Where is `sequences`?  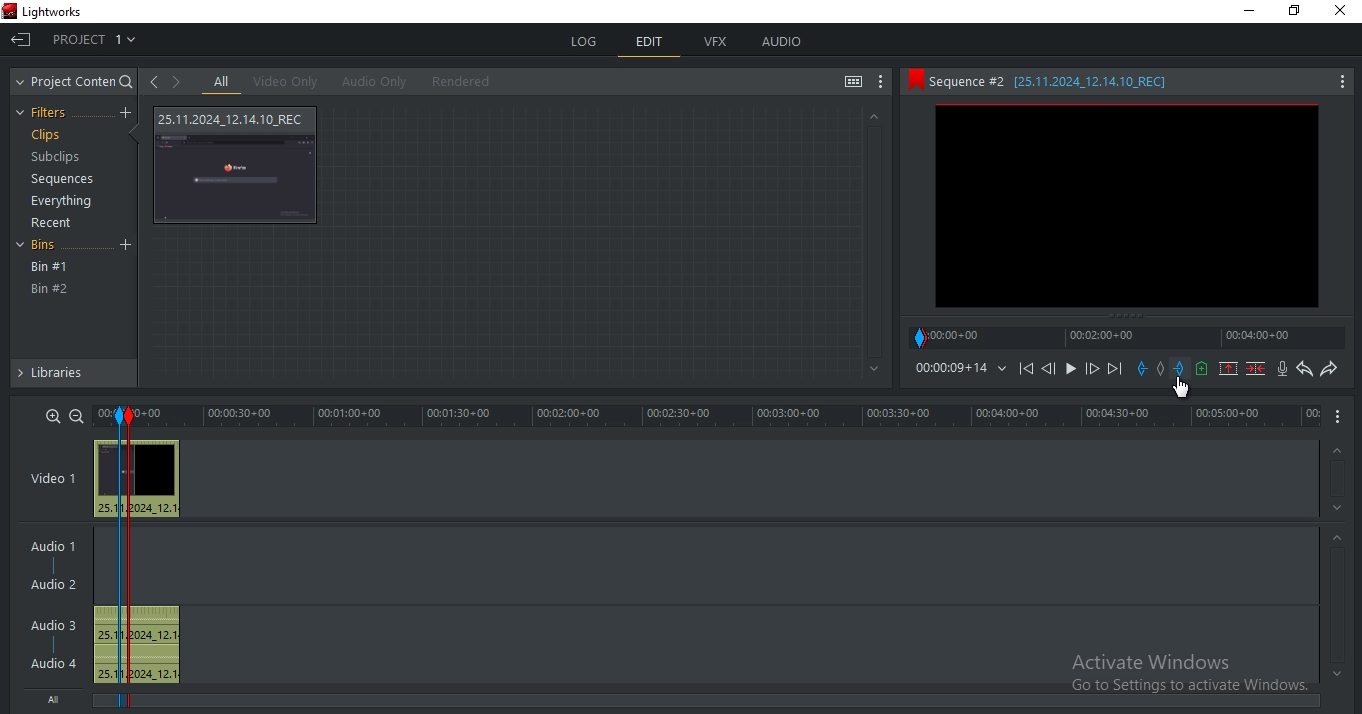
sequences is located at coordinates (57, 181).